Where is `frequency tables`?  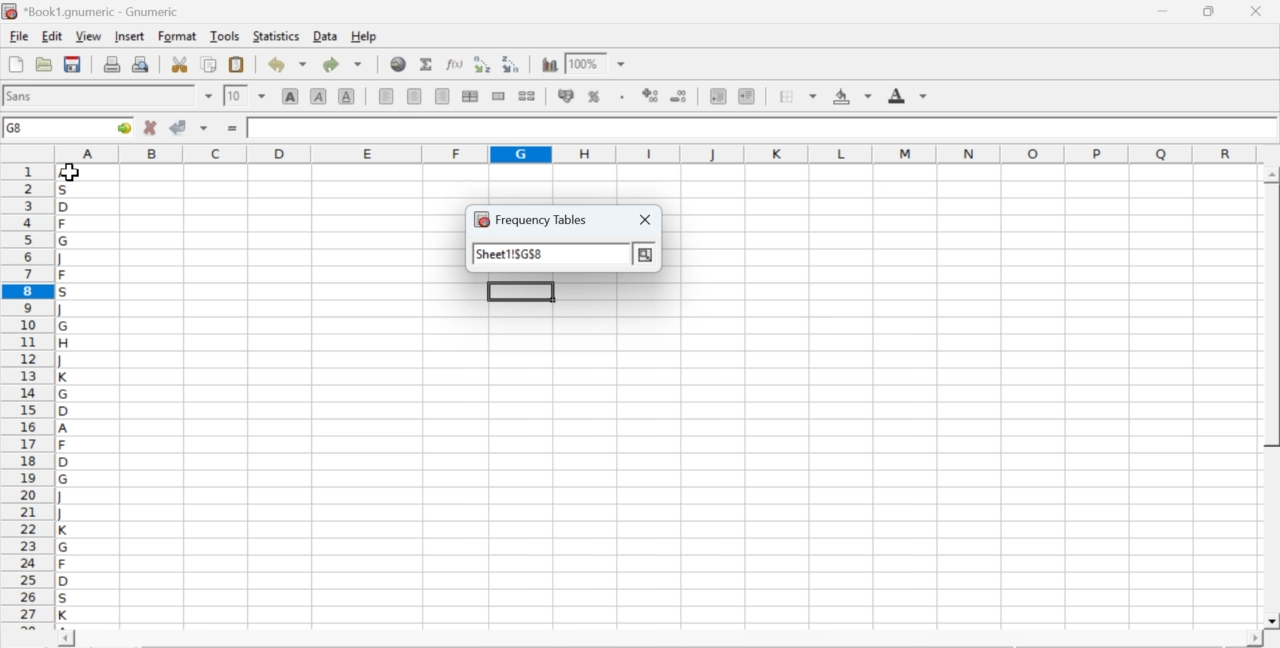 frequency tables is located at coordinates (530, 219).